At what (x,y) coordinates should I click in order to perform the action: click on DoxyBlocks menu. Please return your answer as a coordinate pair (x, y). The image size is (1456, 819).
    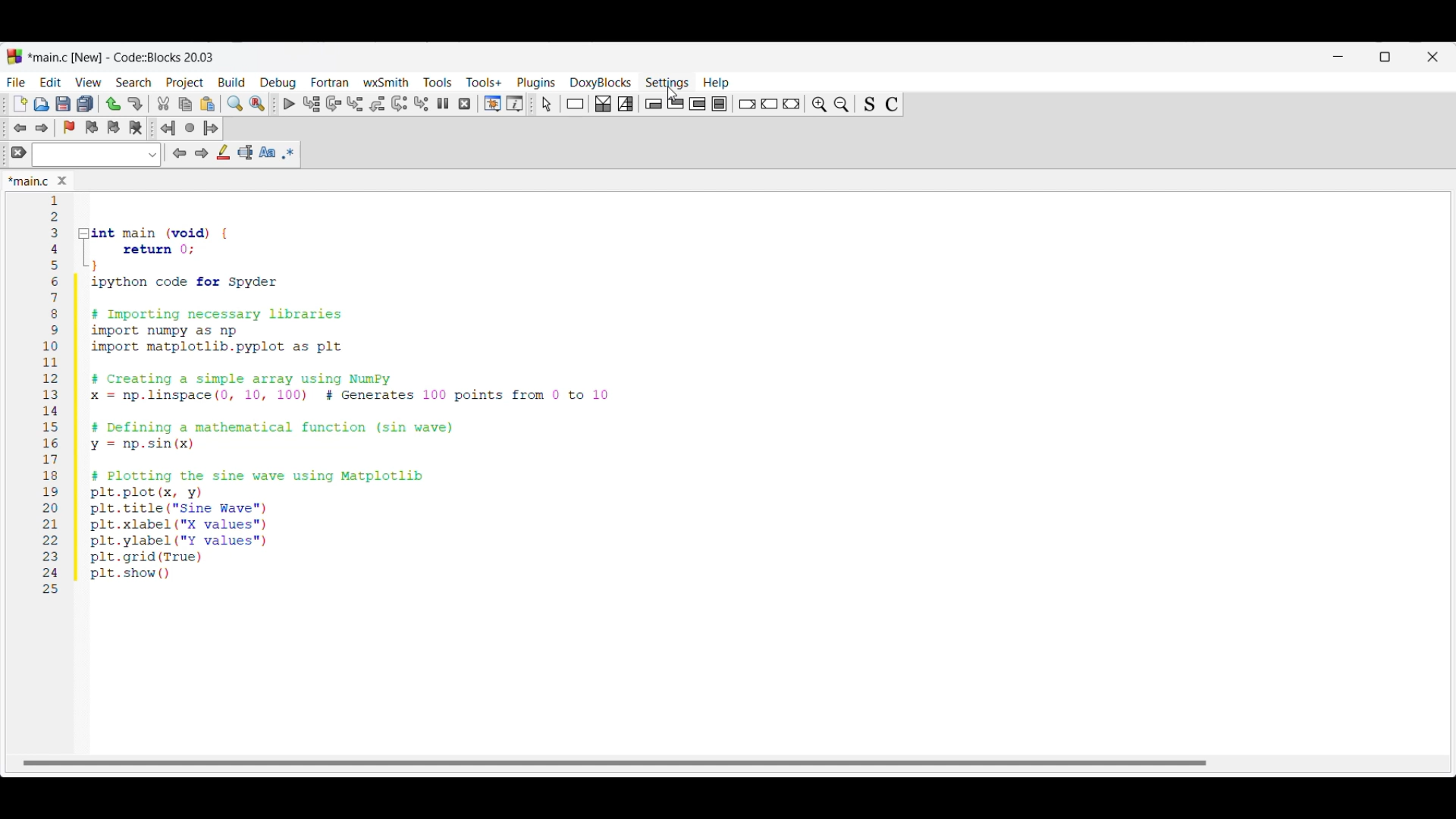
    Looking at the image, I should click on (601, 82).